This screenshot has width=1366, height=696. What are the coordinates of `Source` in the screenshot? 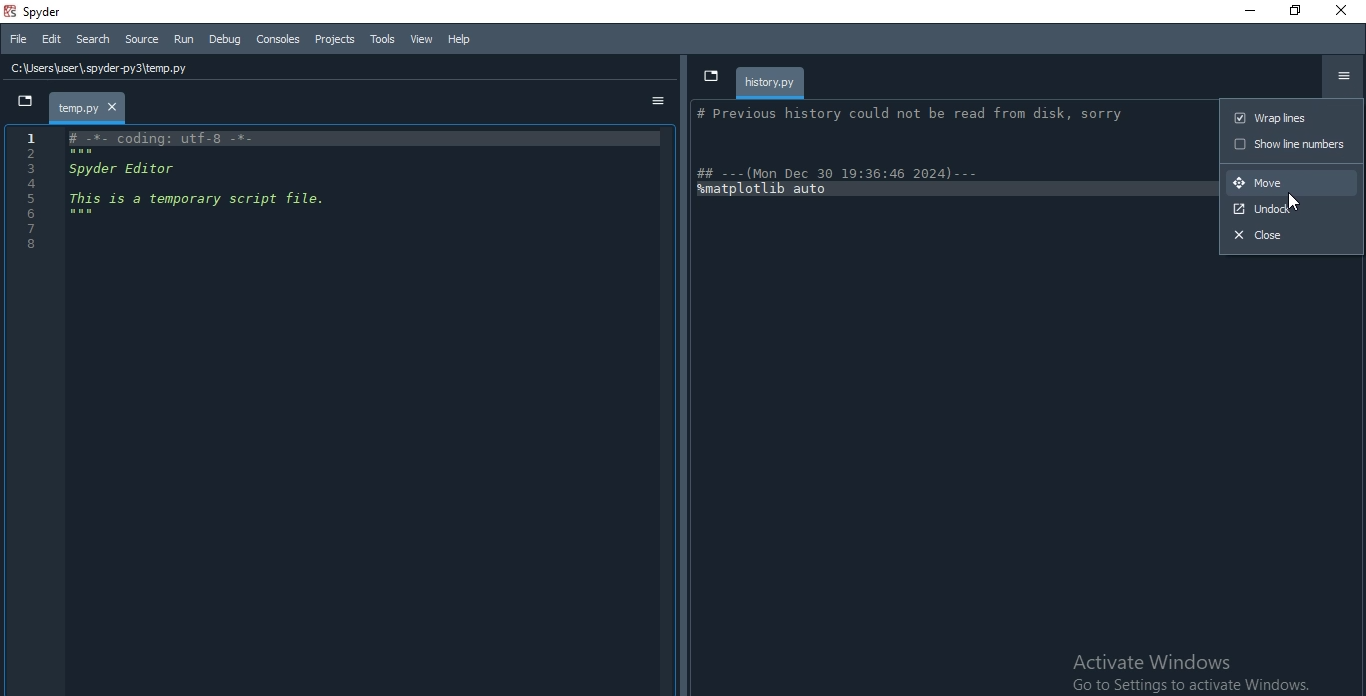 It's located at (143, 39).